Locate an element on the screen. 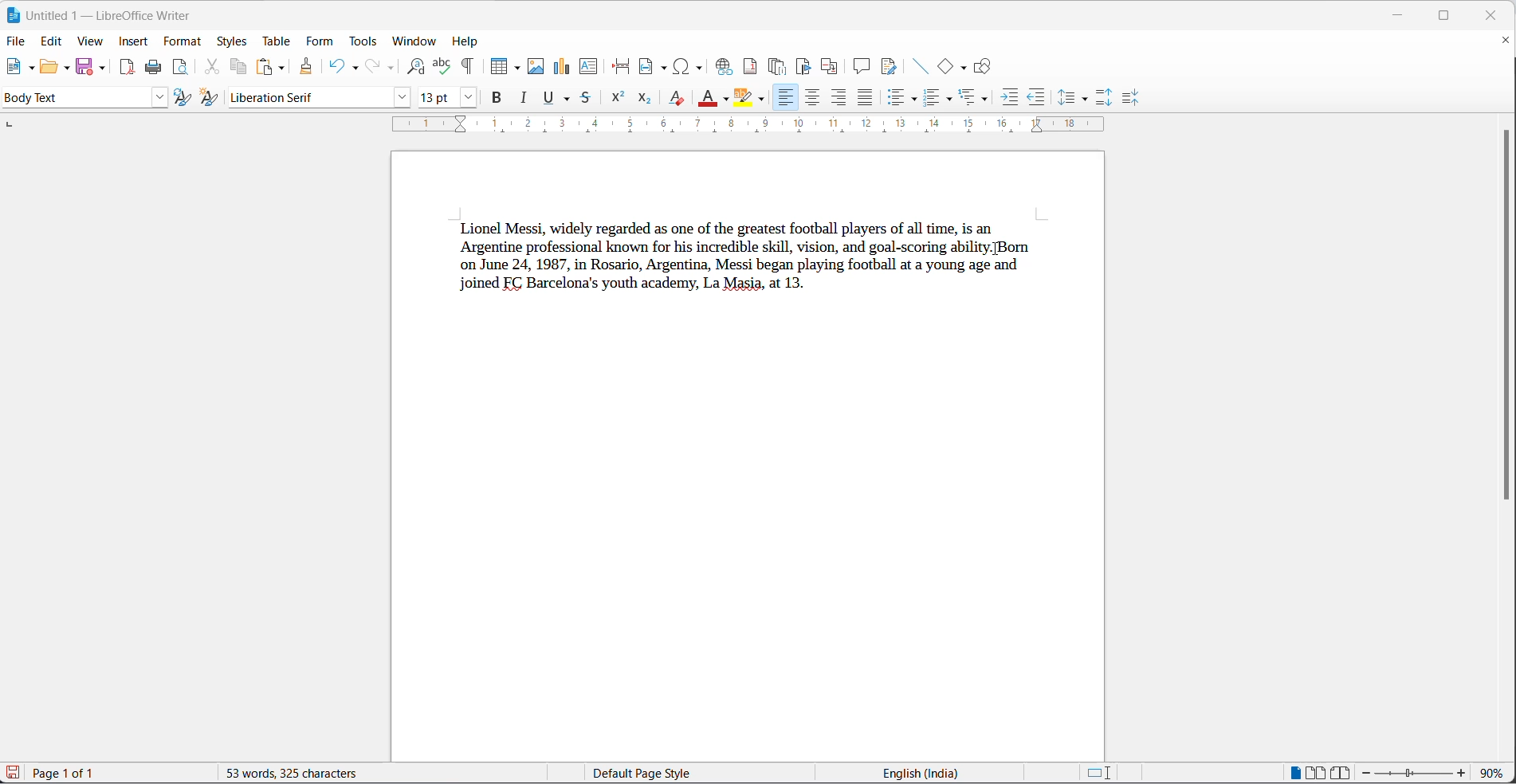  standard selection is located at coordinates (1100, 774).